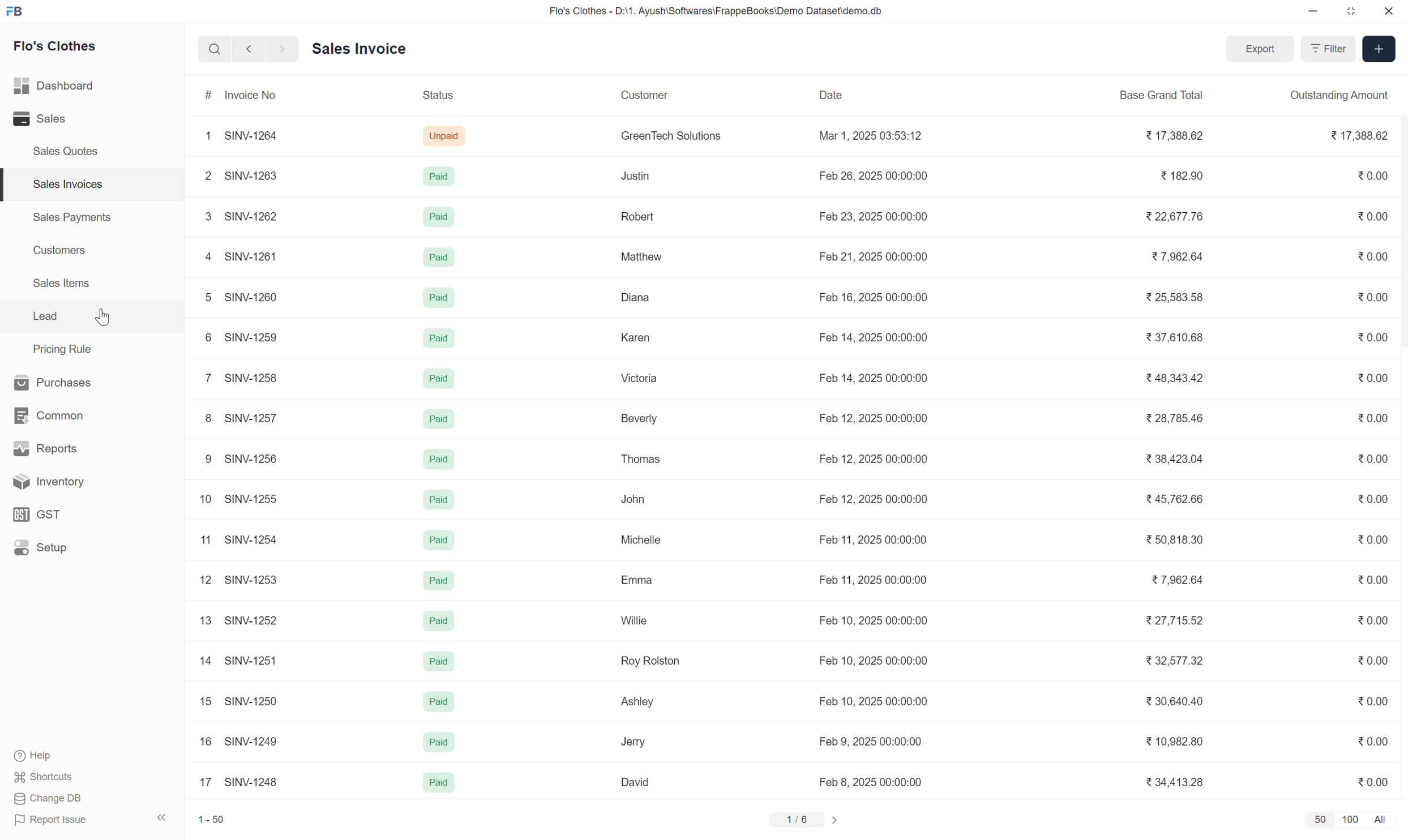 The image size is (1408, 840). I want to click on add, so click(1379, 49).